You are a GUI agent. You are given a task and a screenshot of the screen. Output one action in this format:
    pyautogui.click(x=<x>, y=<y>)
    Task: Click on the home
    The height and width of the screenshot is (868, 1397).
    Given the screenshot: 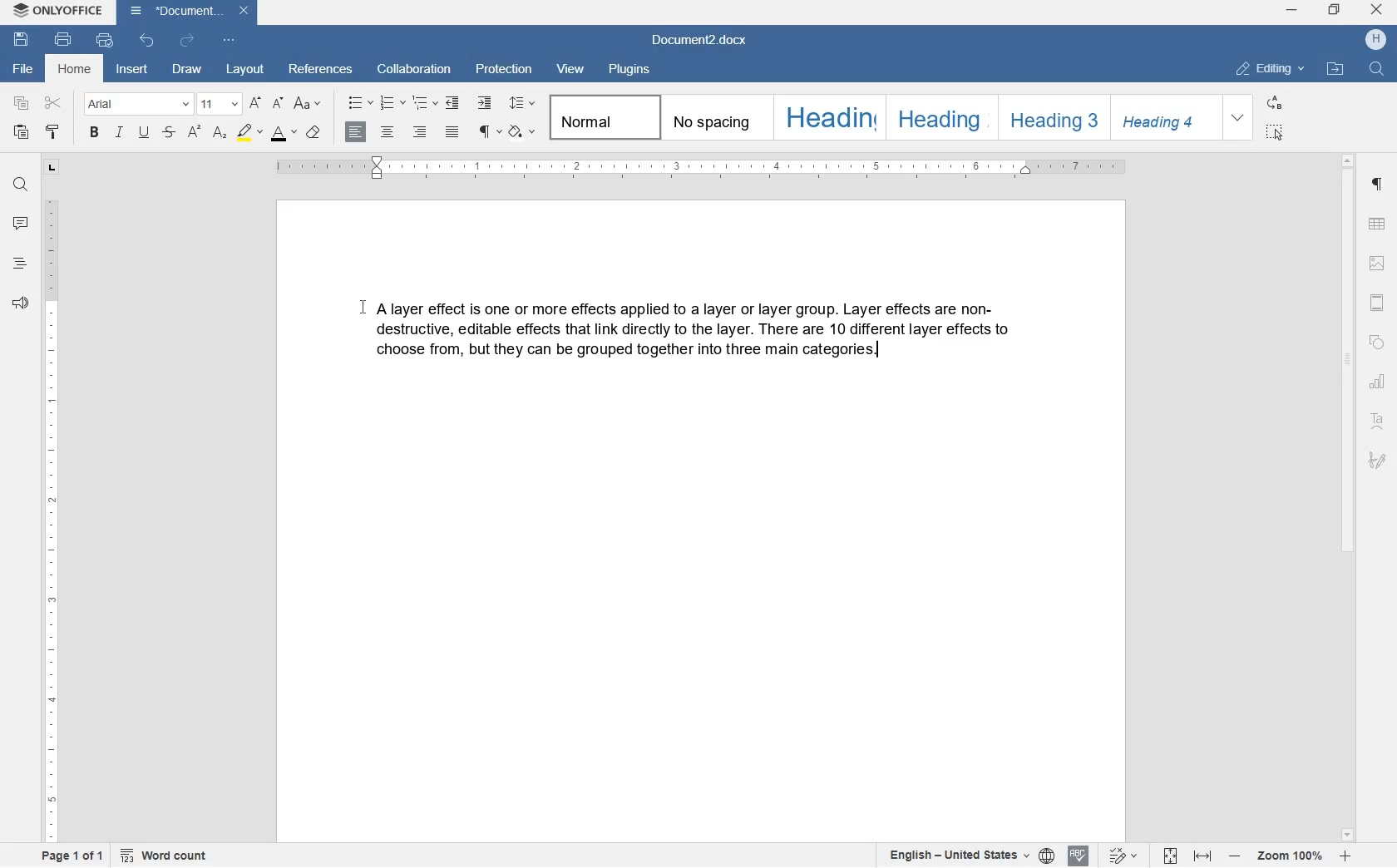 What is the action you would take?
    pyautogui.click(x=76, y=70)
    